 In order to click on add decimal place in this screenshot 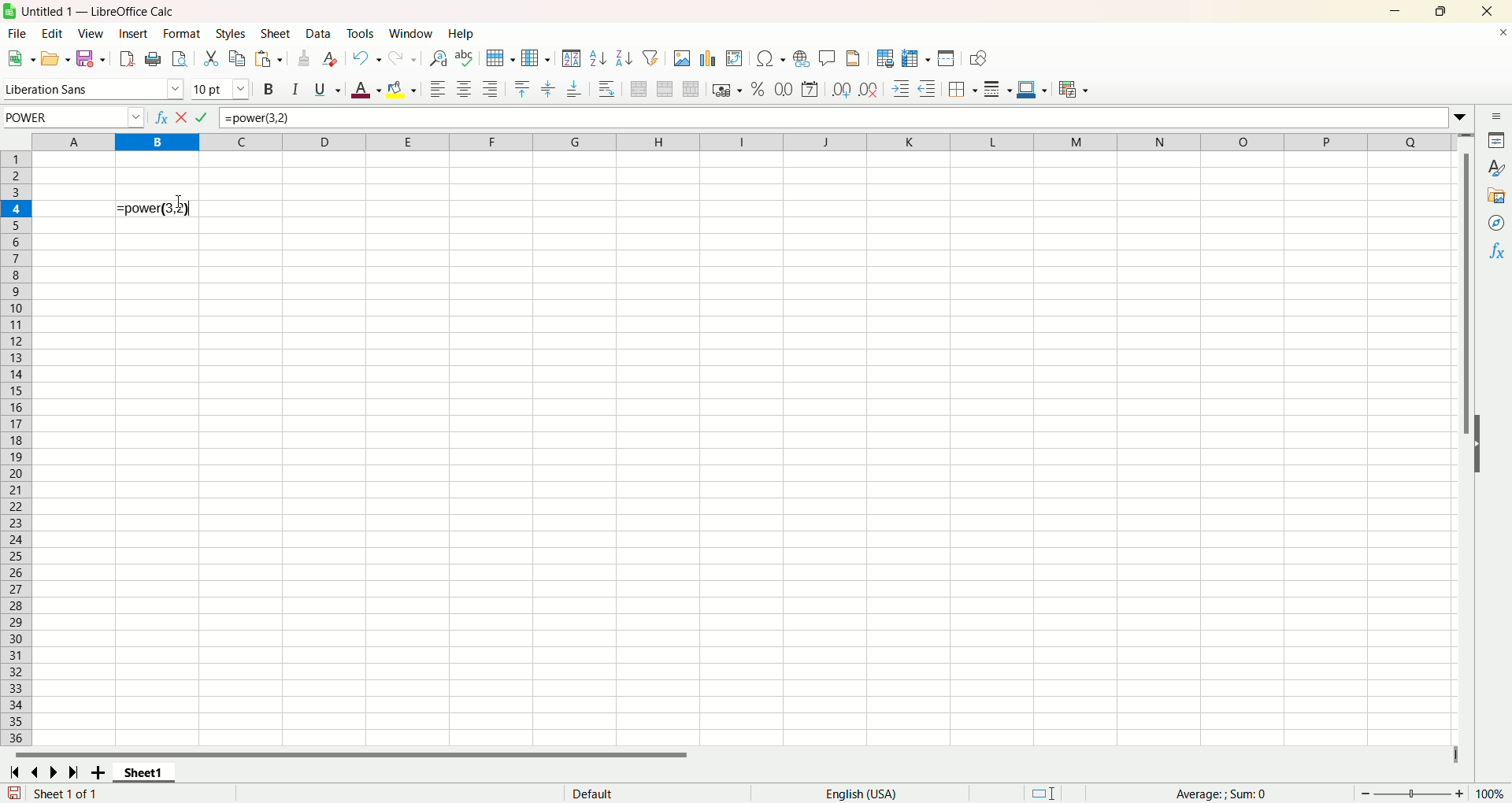, I will do `click(843, 90)`.